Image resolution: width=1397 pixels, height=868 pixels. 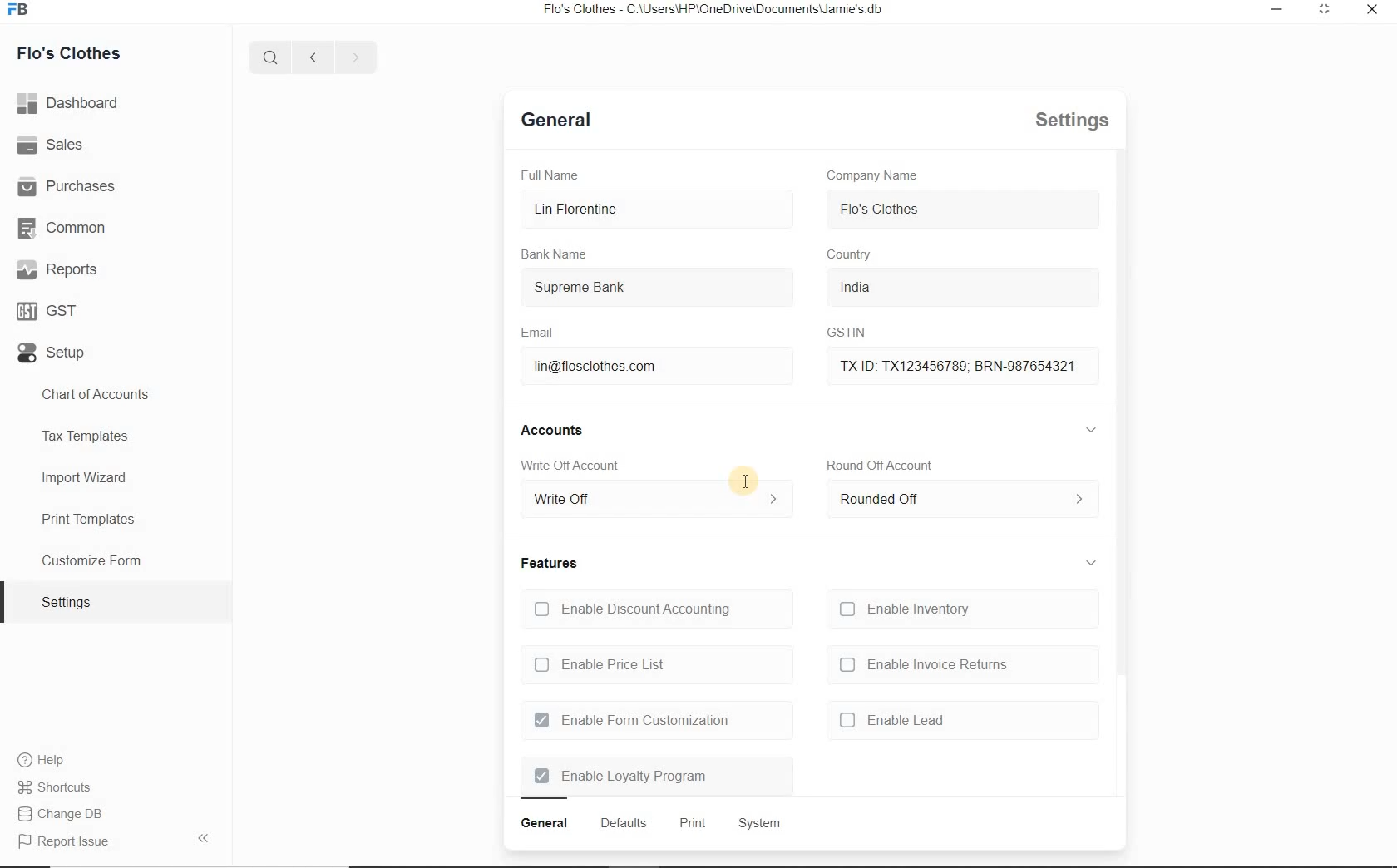 What do you see at coordinates (604, 664) in the screenshot?
I see `Enable Price List` at bounding box center [604, 664].